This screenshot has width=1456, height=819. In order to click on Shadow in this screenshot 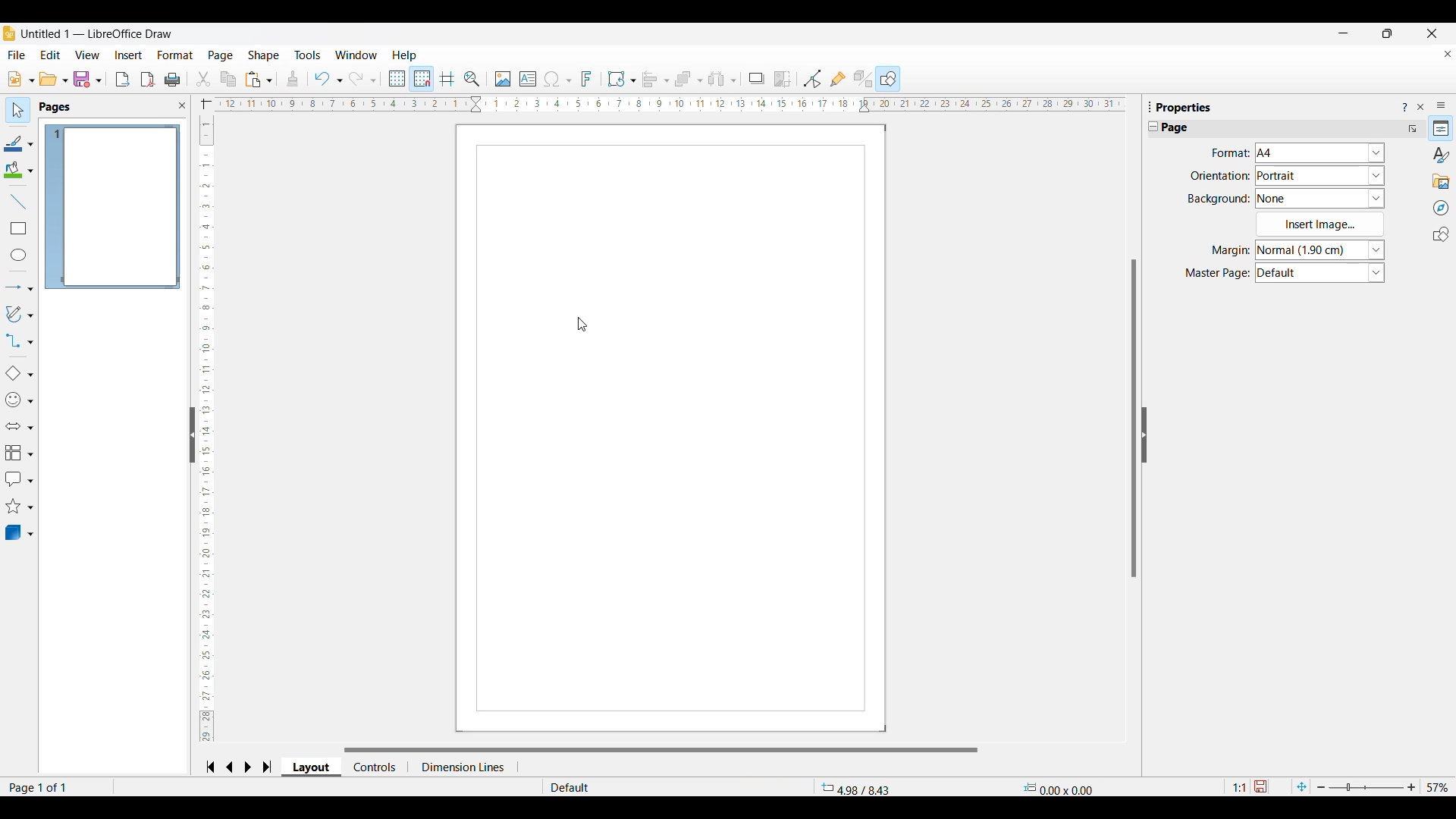, I will do `click(757, 79)`.